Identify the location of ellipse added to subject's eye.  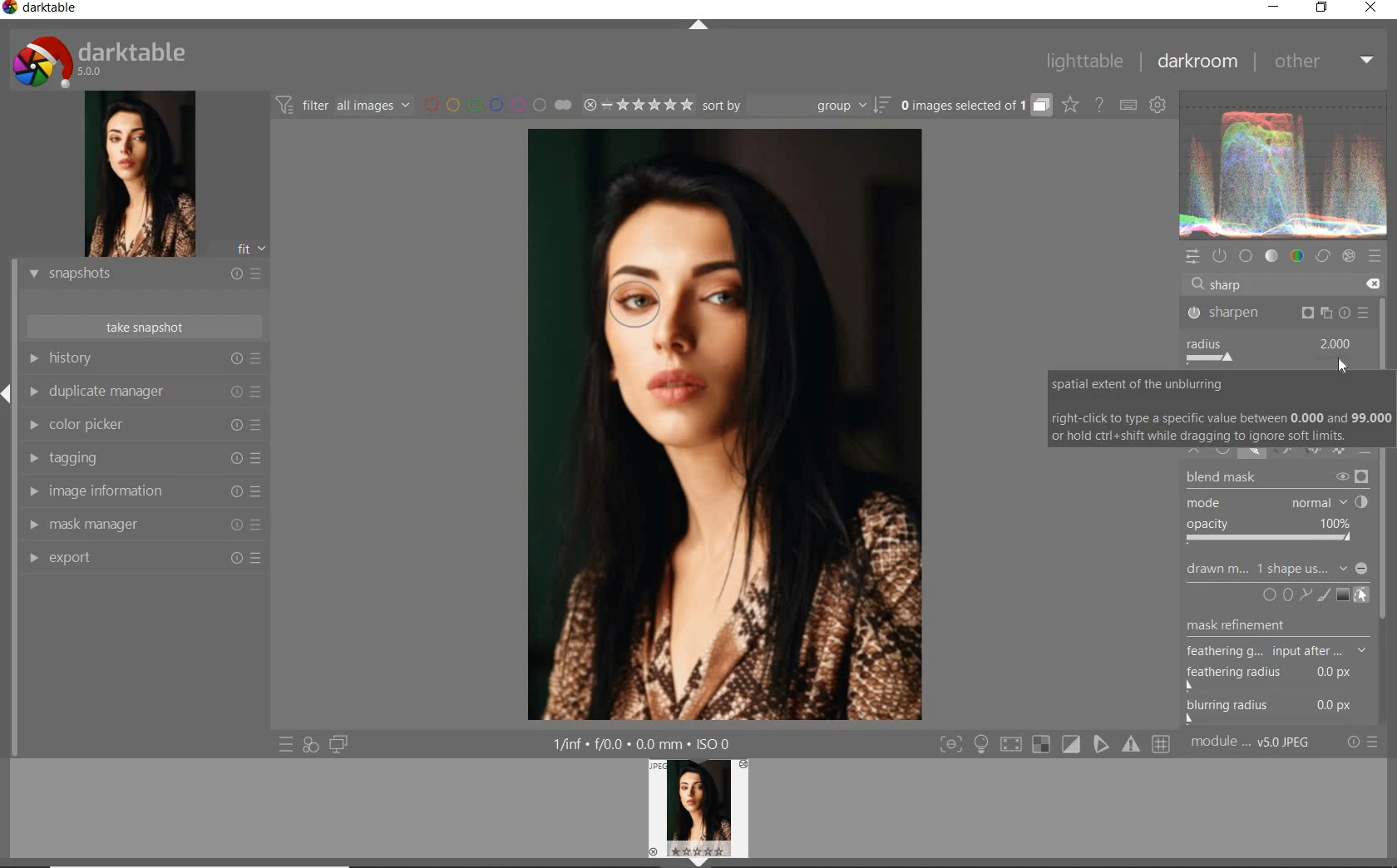
(630, 296).